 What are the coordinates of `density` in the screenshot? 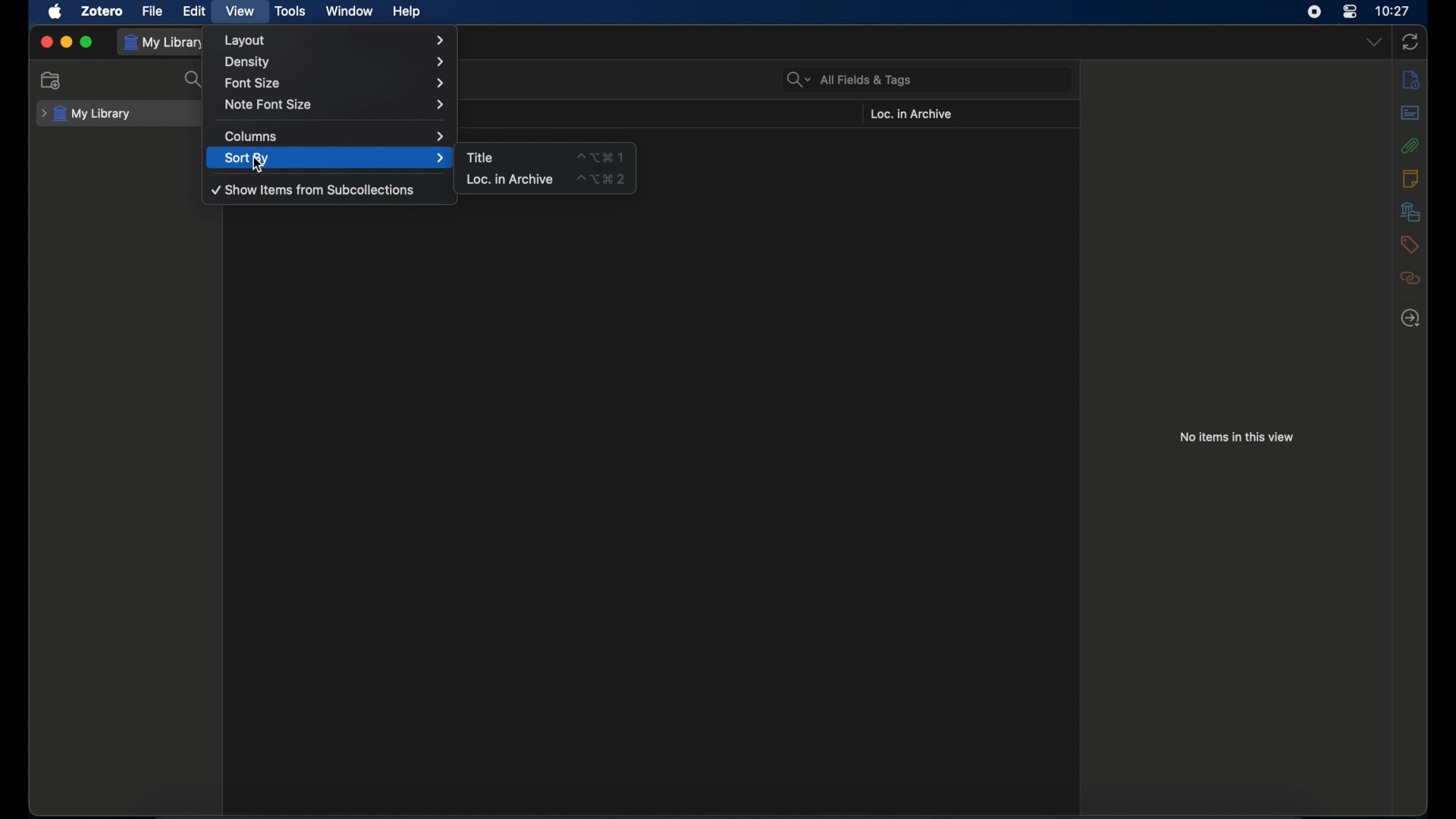 It's located at (334, 61).